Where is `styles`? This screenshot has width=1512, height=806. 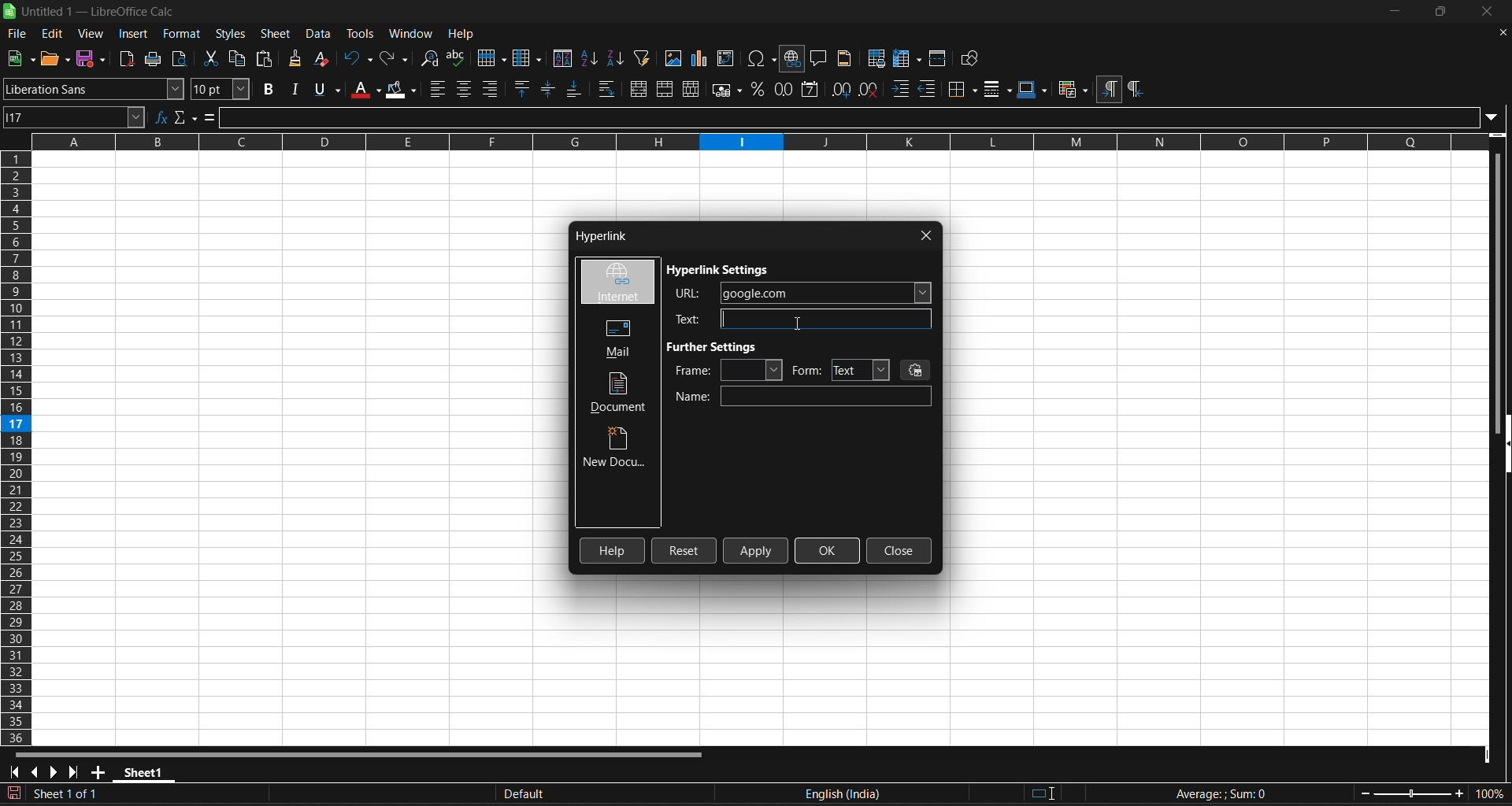
styles is located at coordinates (231, 34).